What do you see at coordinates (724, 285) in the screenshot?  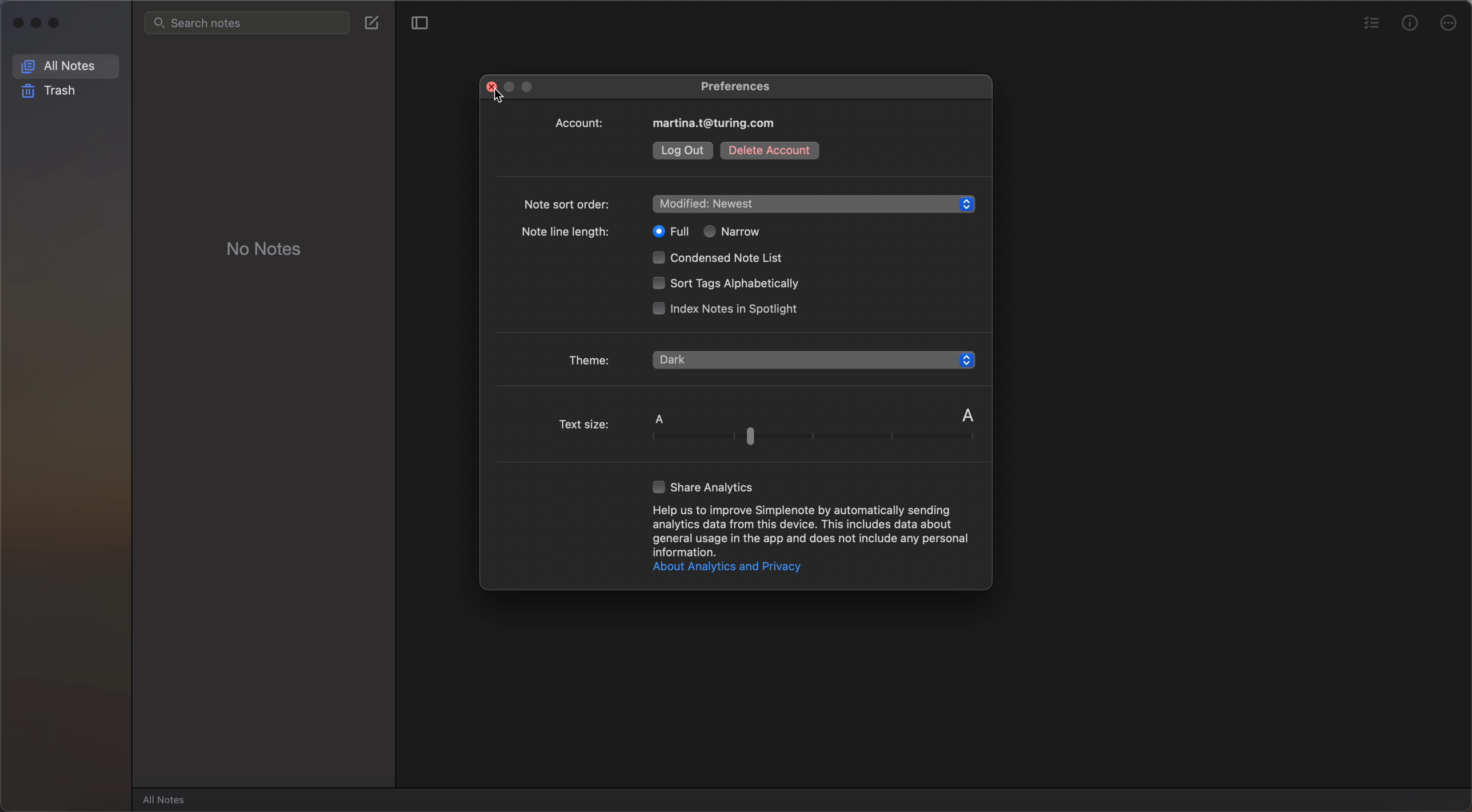 I see `sort tags alphabetically` at bounding box center [724, 285].